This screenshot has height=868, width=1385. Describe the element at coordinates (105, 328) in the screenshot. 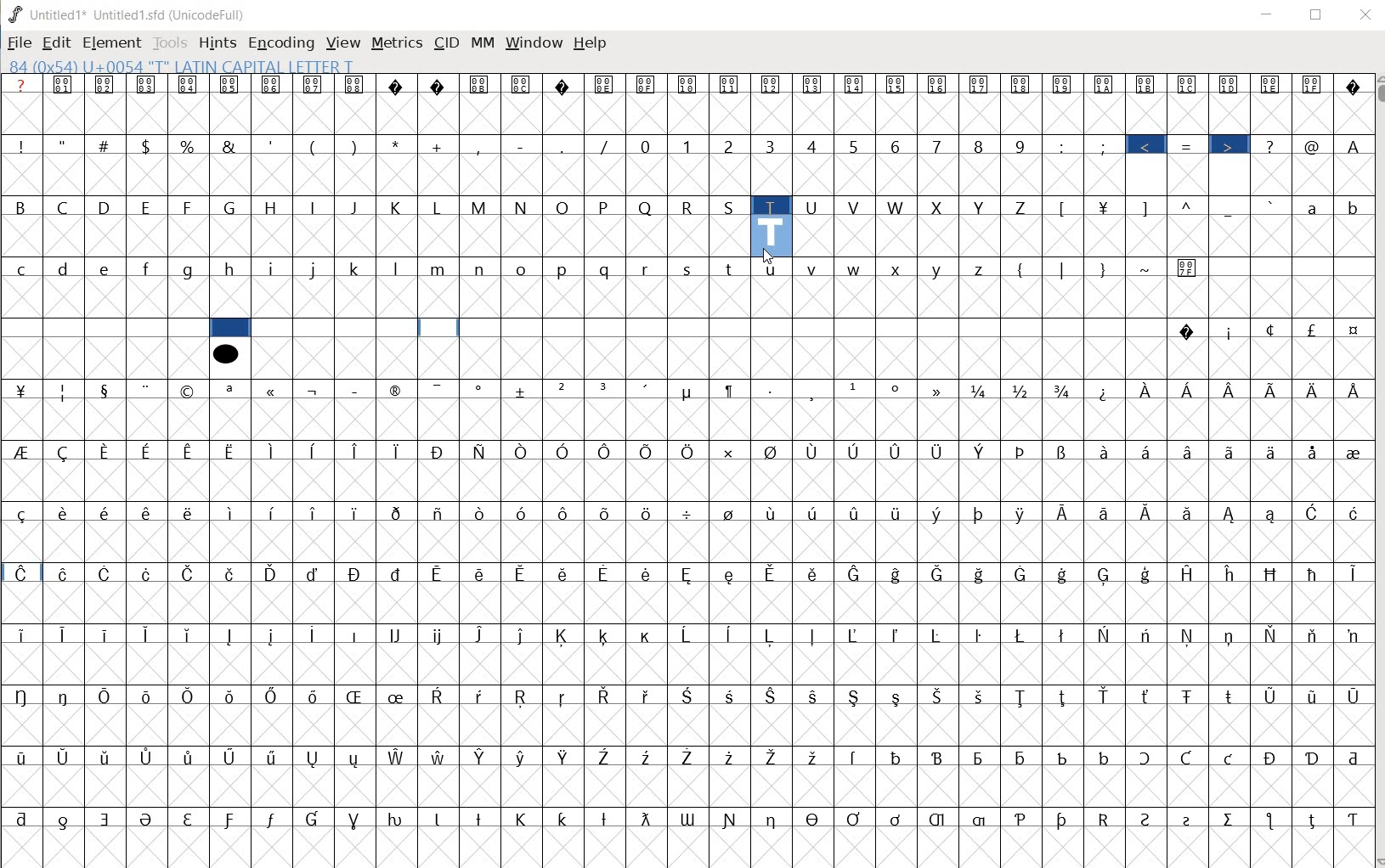

I see `empty spaces` at that location.